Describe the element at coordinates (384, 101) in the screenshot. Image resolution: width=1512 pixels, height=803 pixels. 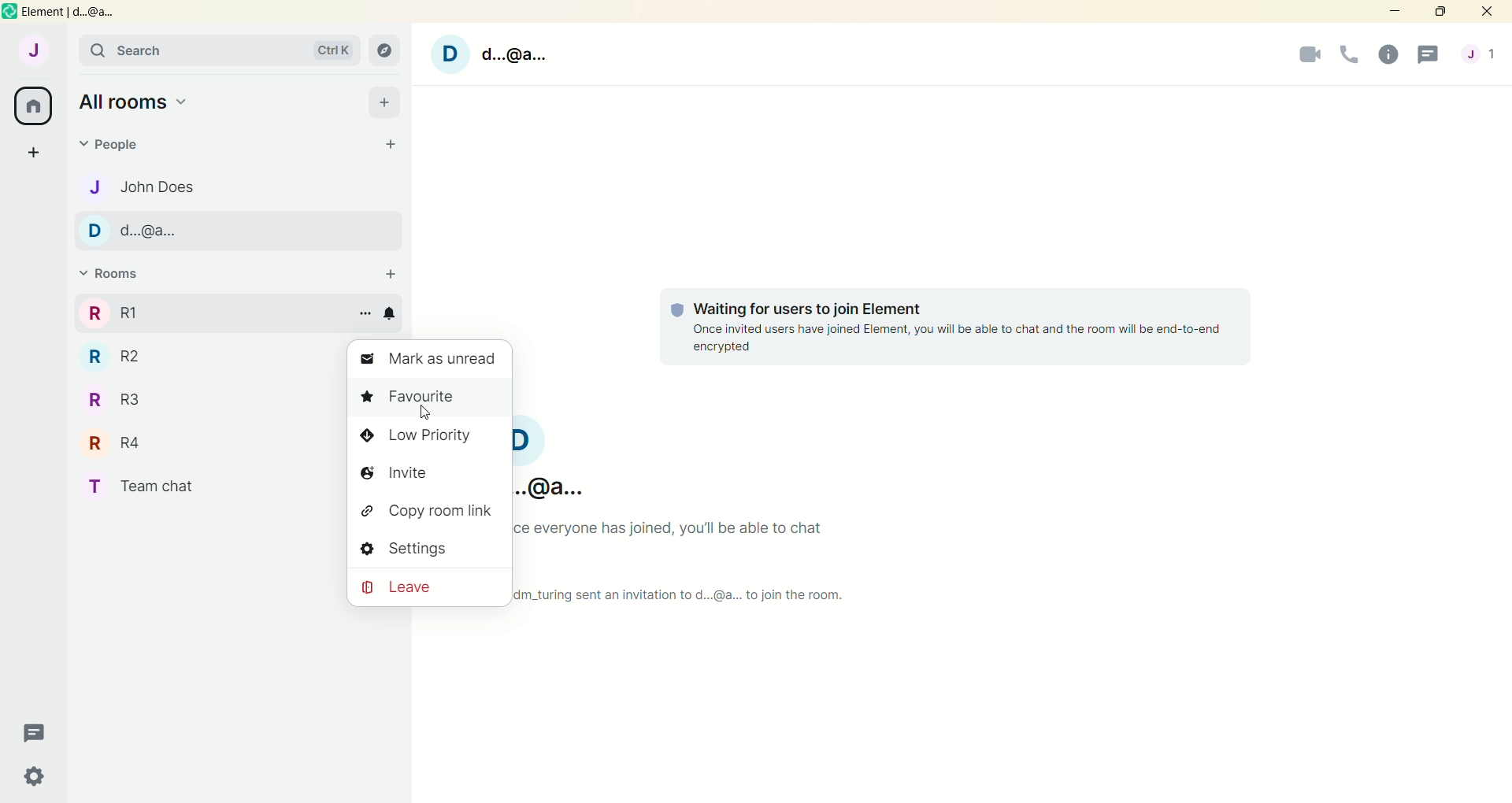
I see `Add All rooms` at that location.